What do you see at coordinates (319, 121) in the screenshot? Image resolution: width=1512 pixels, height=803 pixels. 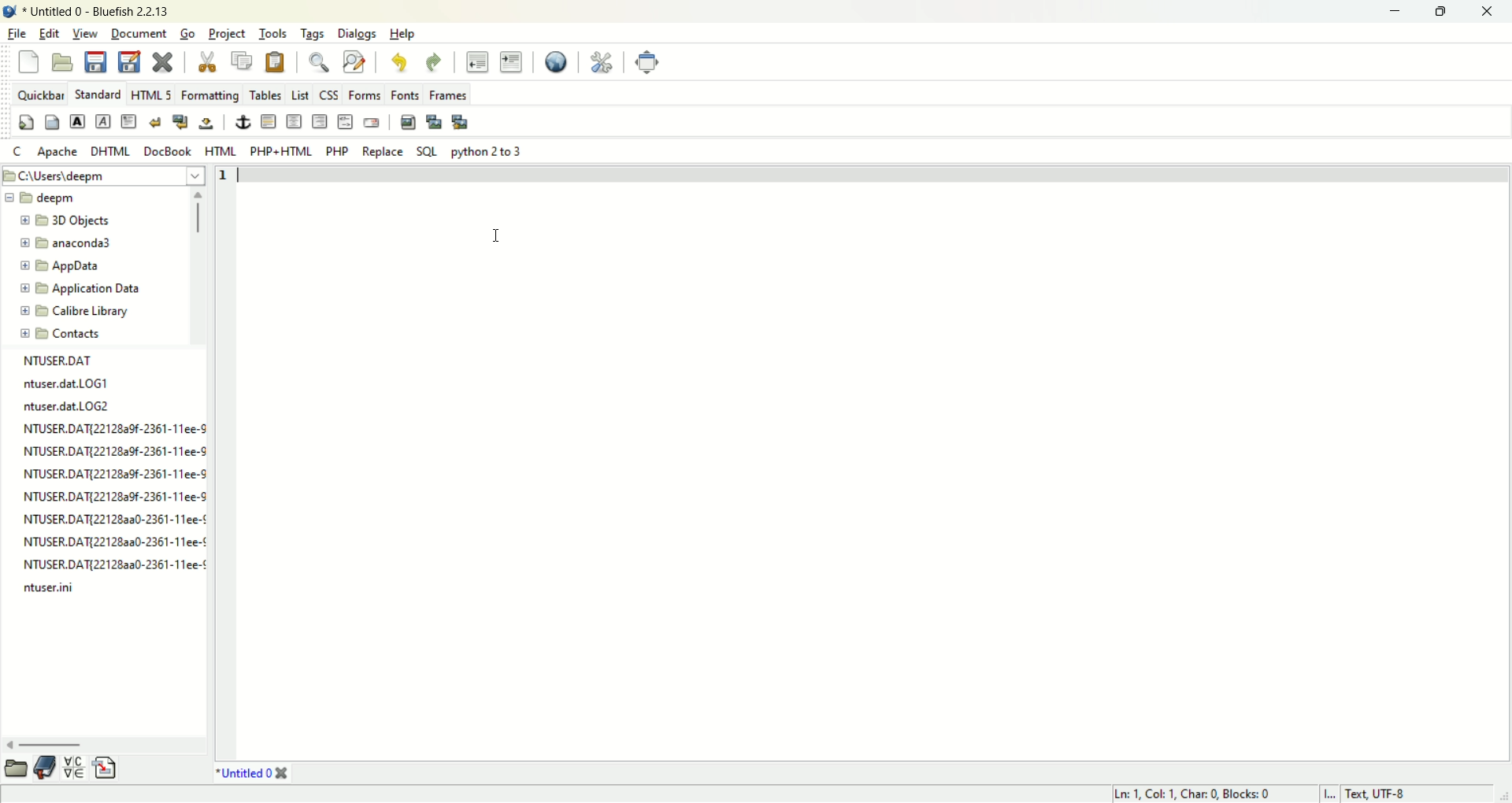 I see `right justify` at bounding box center [319, 121].